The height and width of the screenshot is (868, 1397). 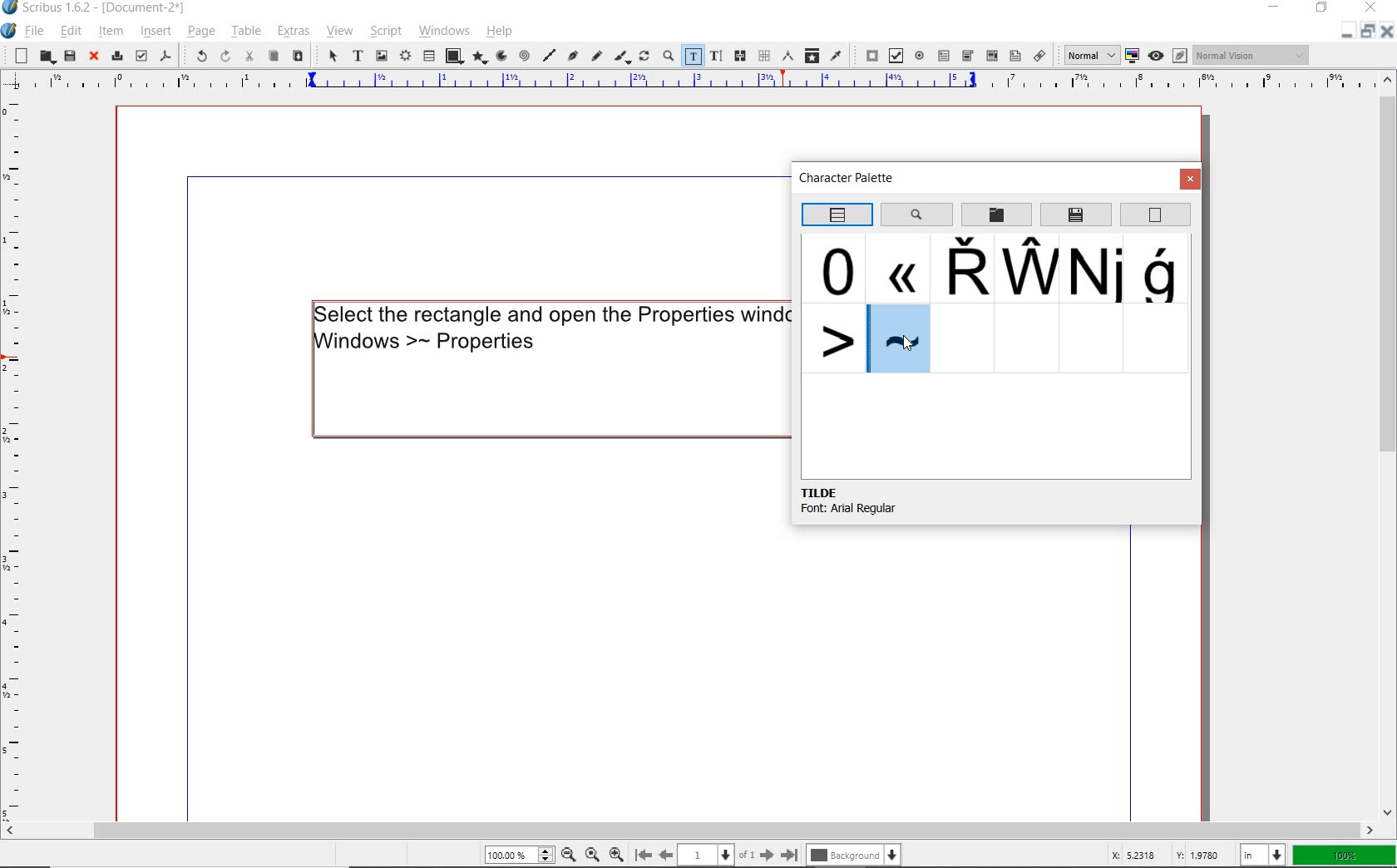 I want to click on rotate item, so click(x=644, y=57).